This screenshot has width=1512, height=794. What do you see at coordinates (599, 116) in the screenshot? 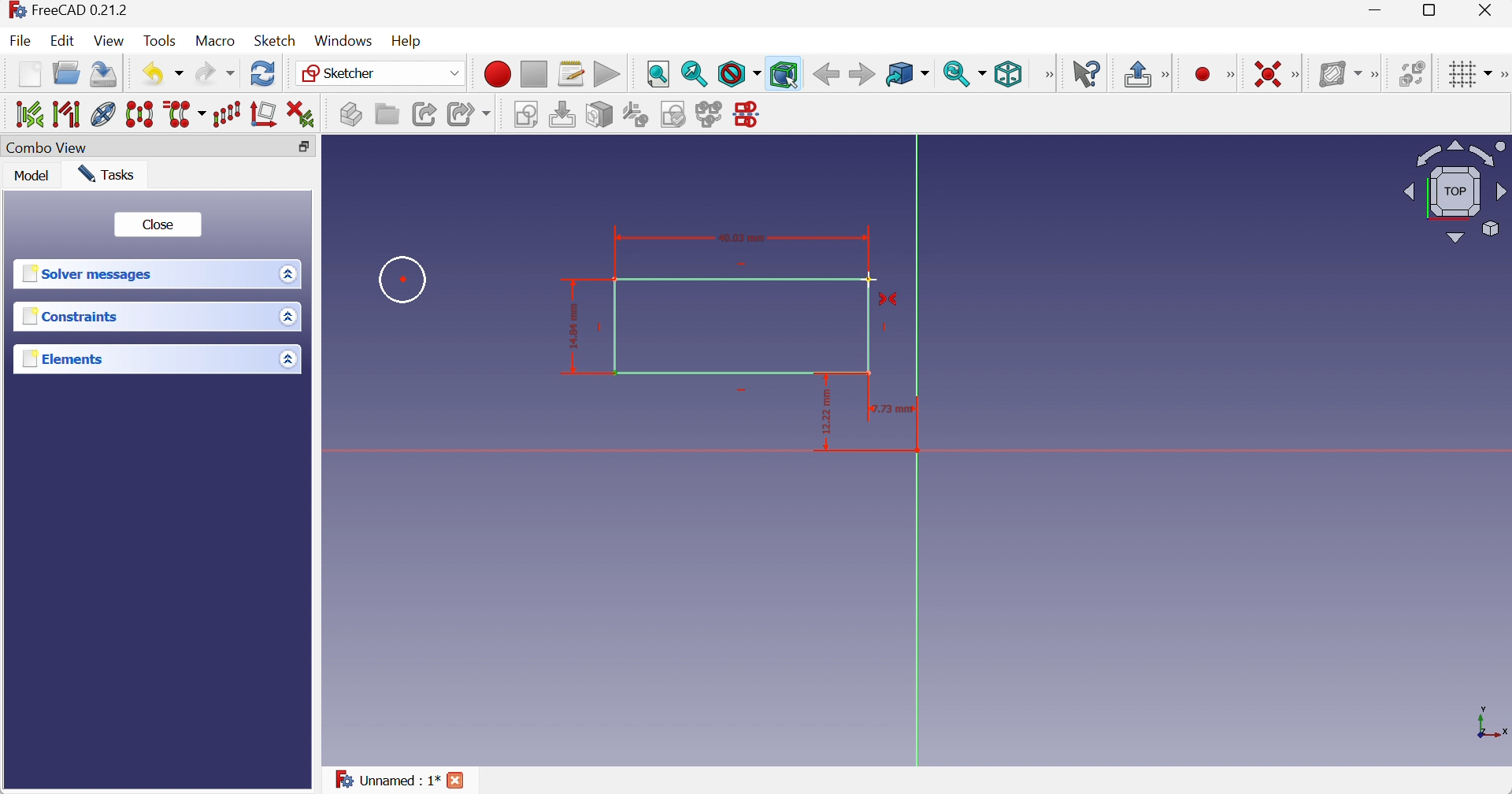
I see `Map sketch to face...` at bounding box center [599, 116].